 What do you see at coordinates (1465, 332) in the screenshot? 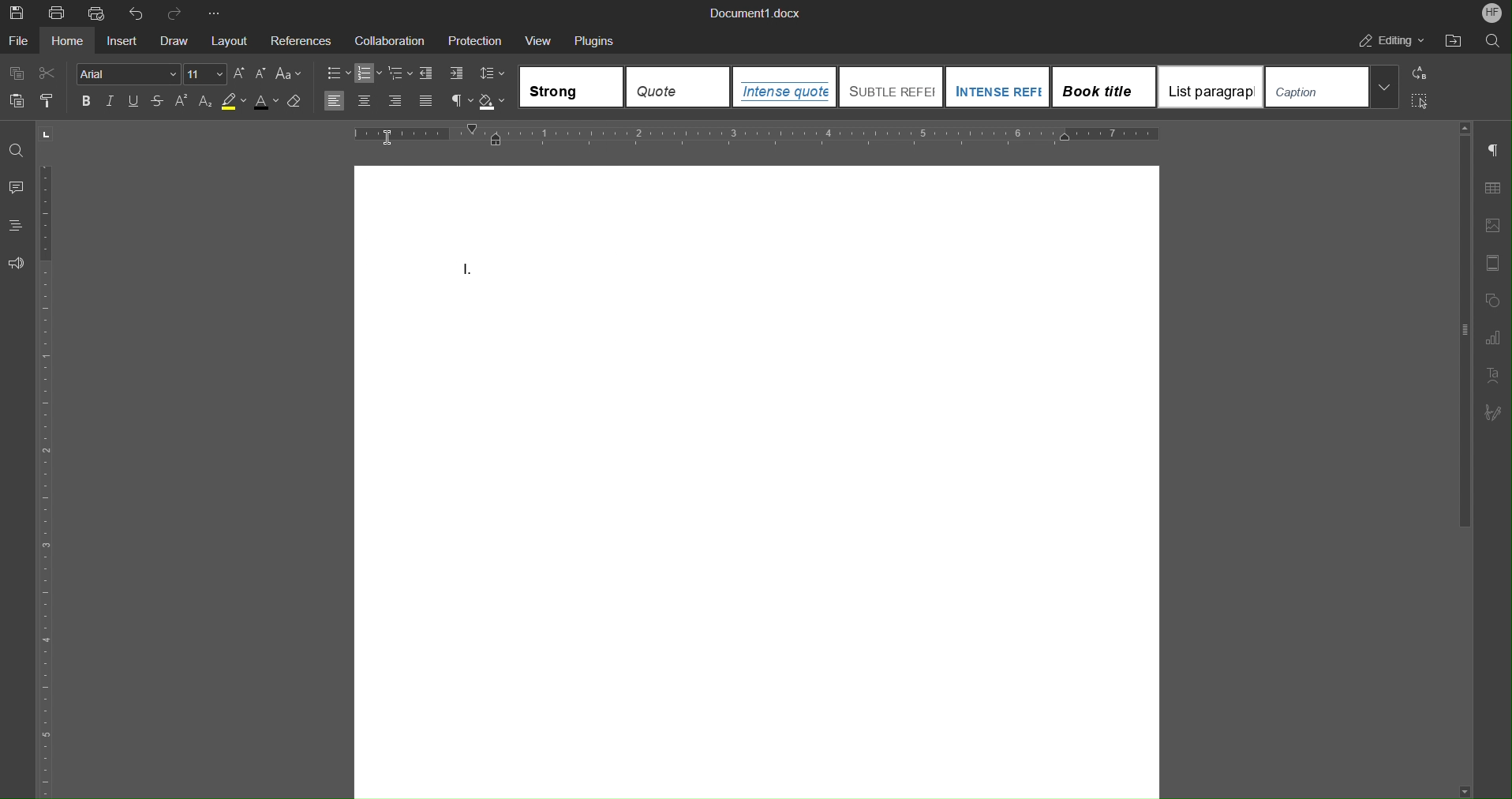
I see `Scrollbar` at bounding box center [1465, 332].